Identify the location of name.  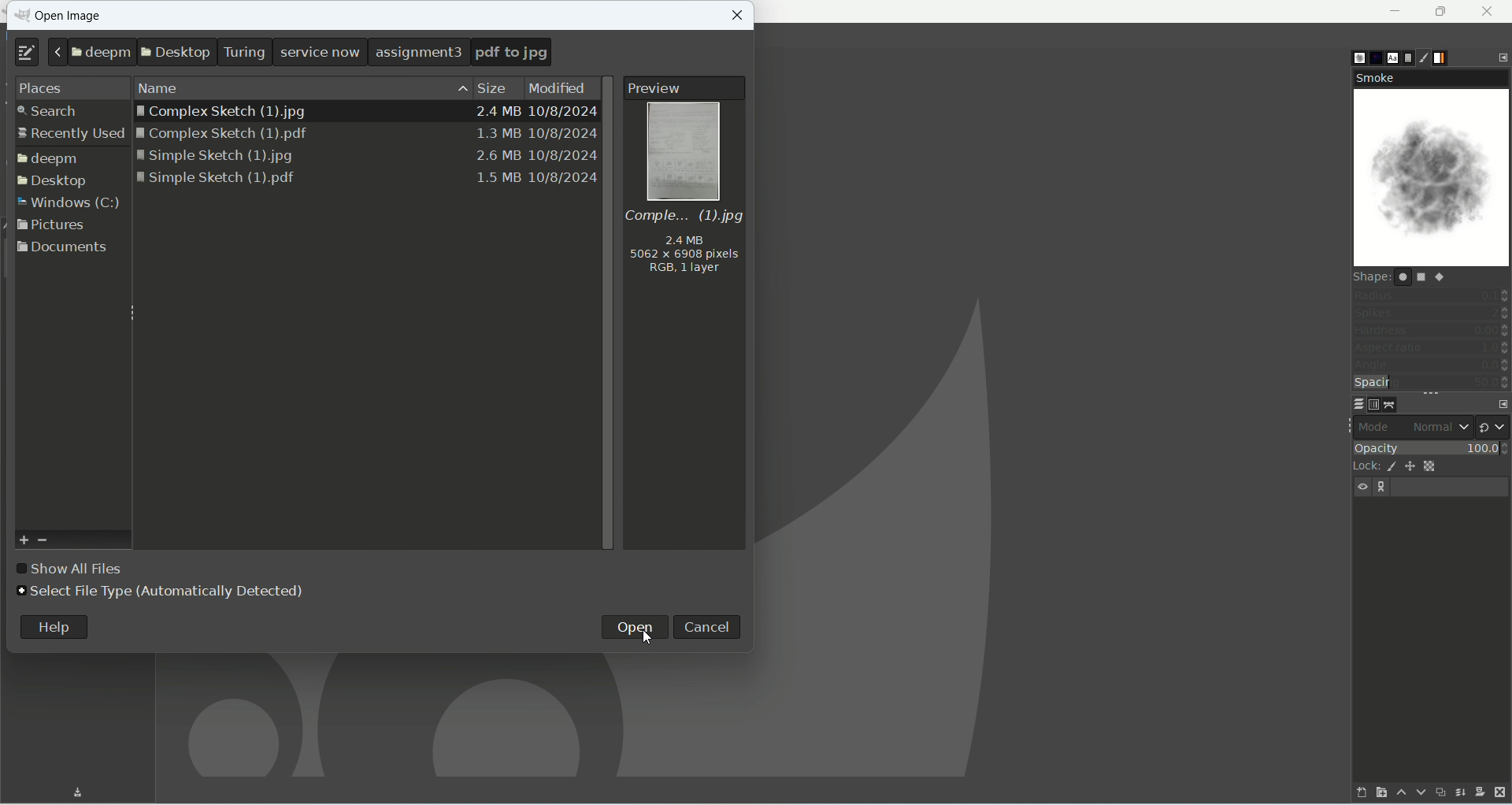
(162, 88).